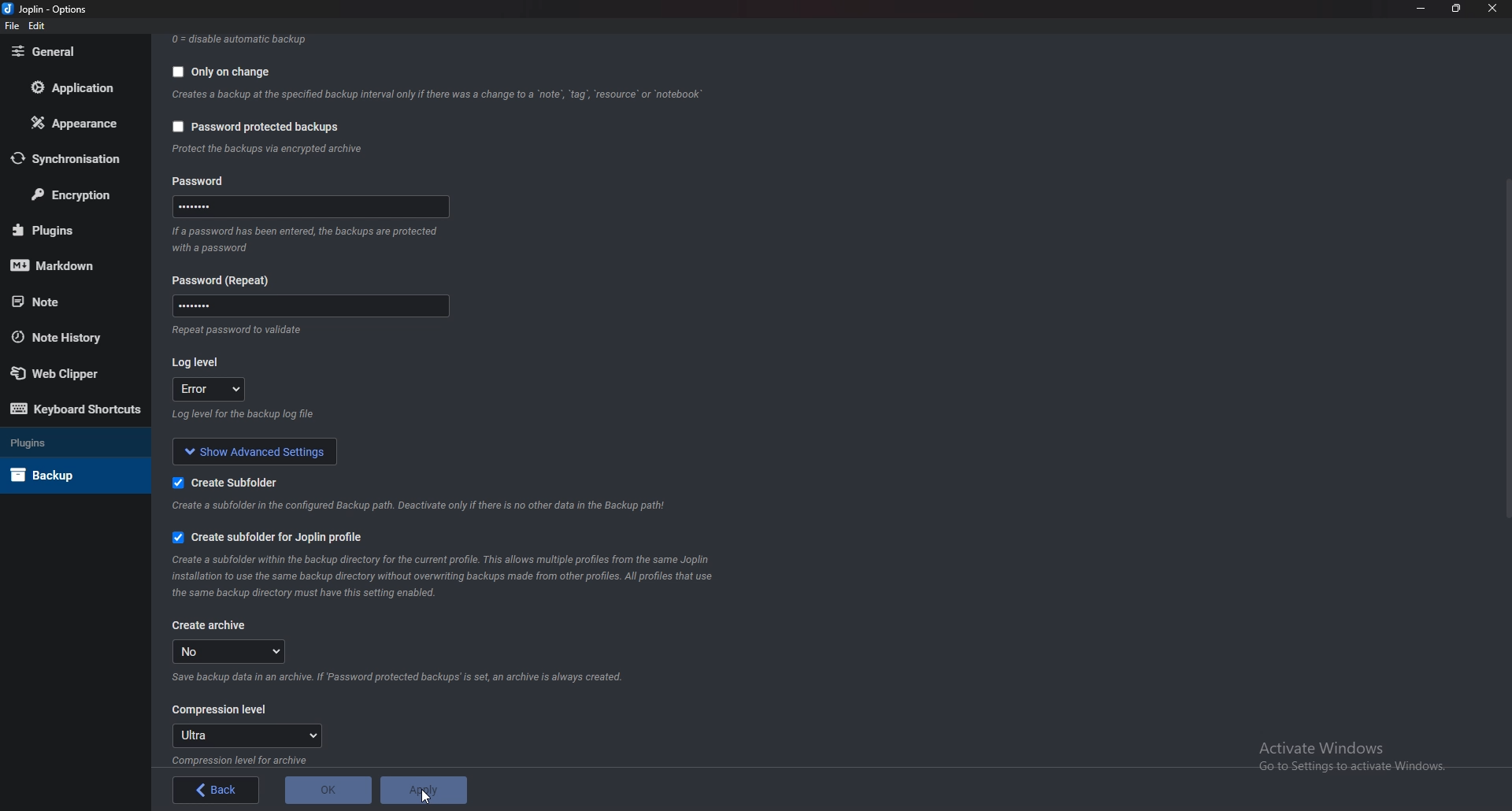 The height and width of the screenshot is (811, 1512). Describe the element at coordinates (221, 709) in the screenshot. I see `Compression level` at that location.